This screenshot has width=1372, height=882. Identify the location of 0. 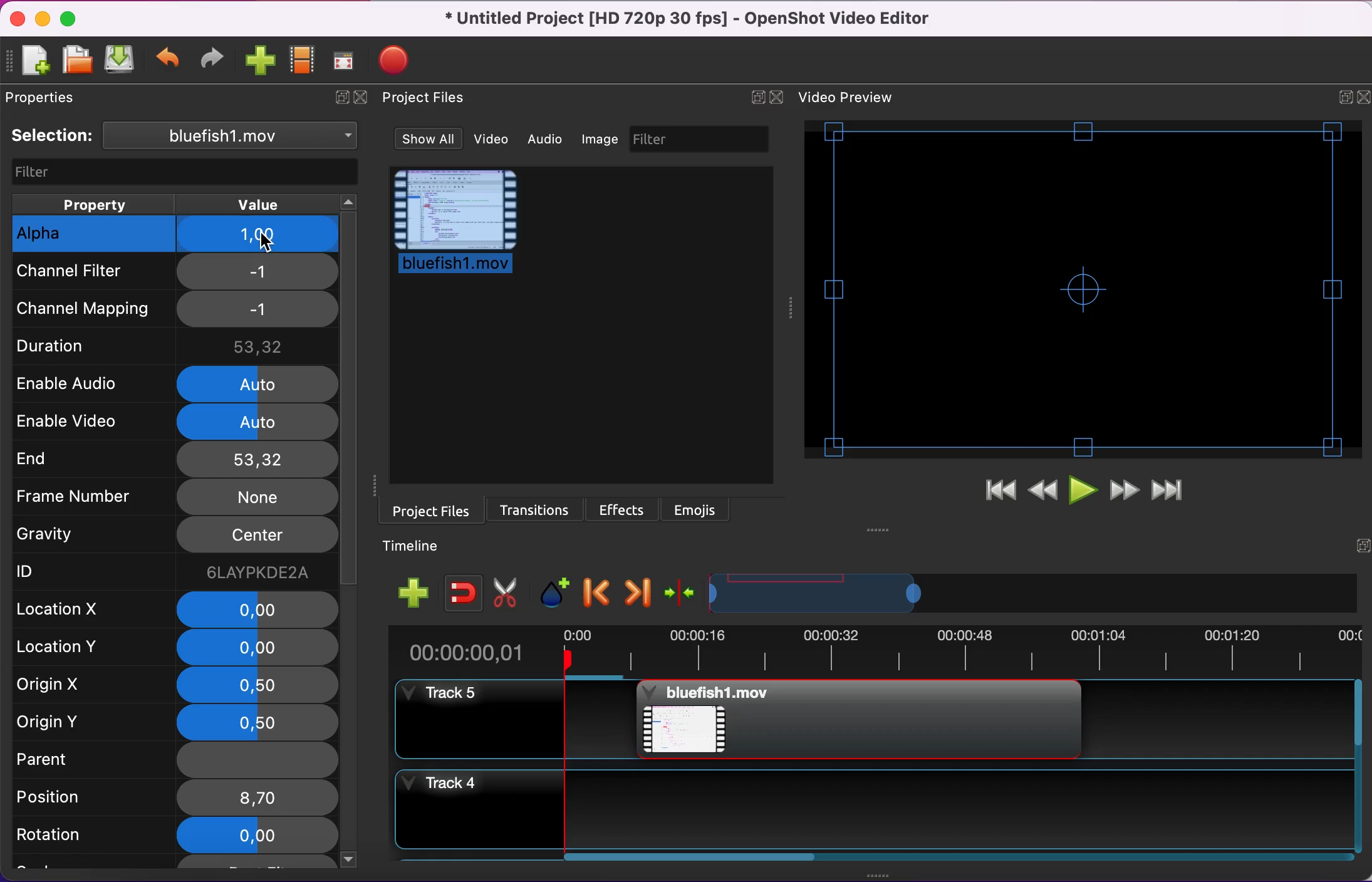
(258, 608).